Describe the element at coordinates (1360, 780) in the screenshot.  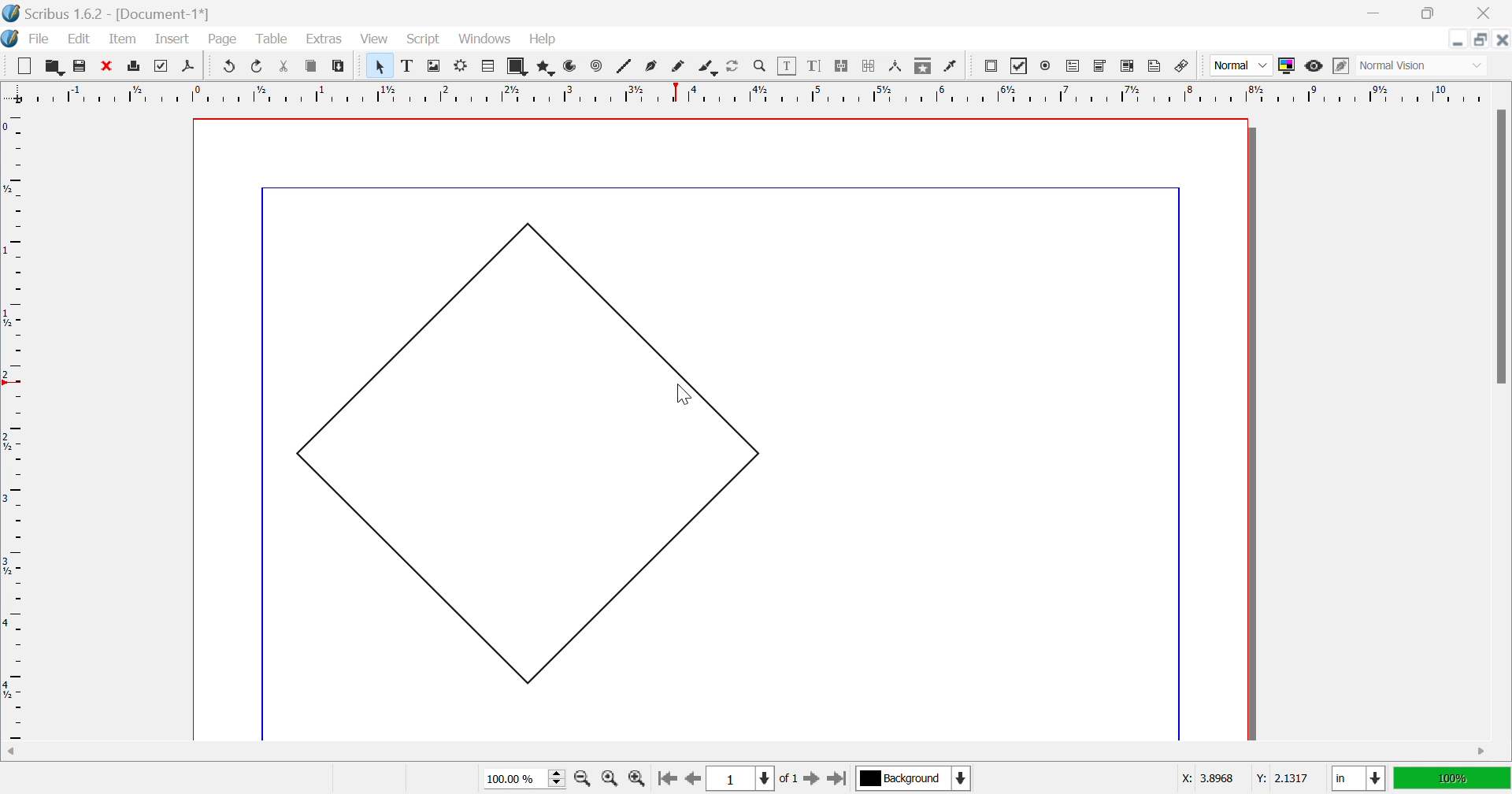
I see `in` at that location.